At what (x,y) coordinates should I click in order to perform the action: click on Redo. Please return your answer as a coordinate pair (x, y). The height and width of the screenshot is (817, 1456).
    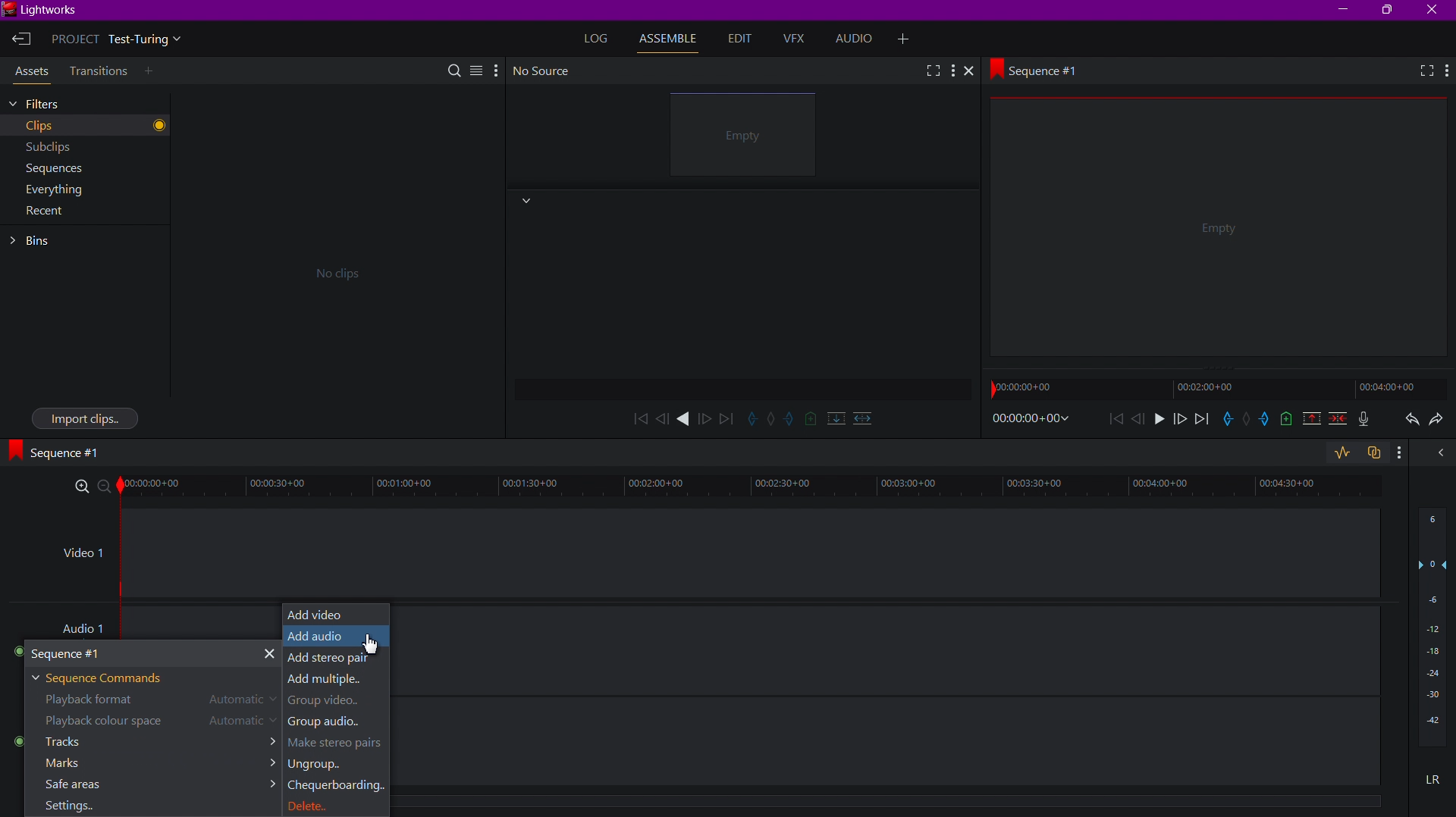
    Looking at the image, I should click on (1438, 423).